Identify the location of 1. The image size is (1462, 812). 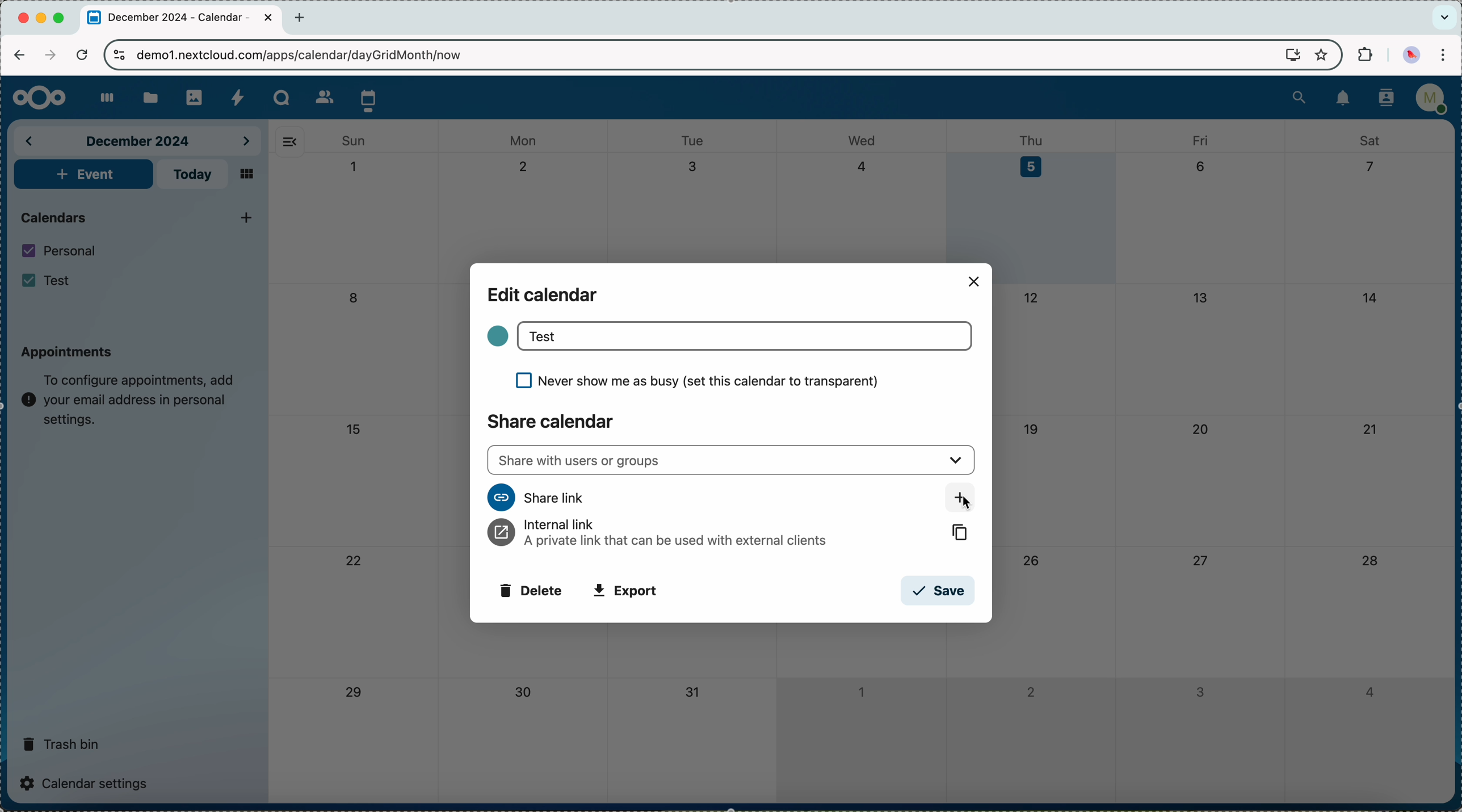
(860, 689).